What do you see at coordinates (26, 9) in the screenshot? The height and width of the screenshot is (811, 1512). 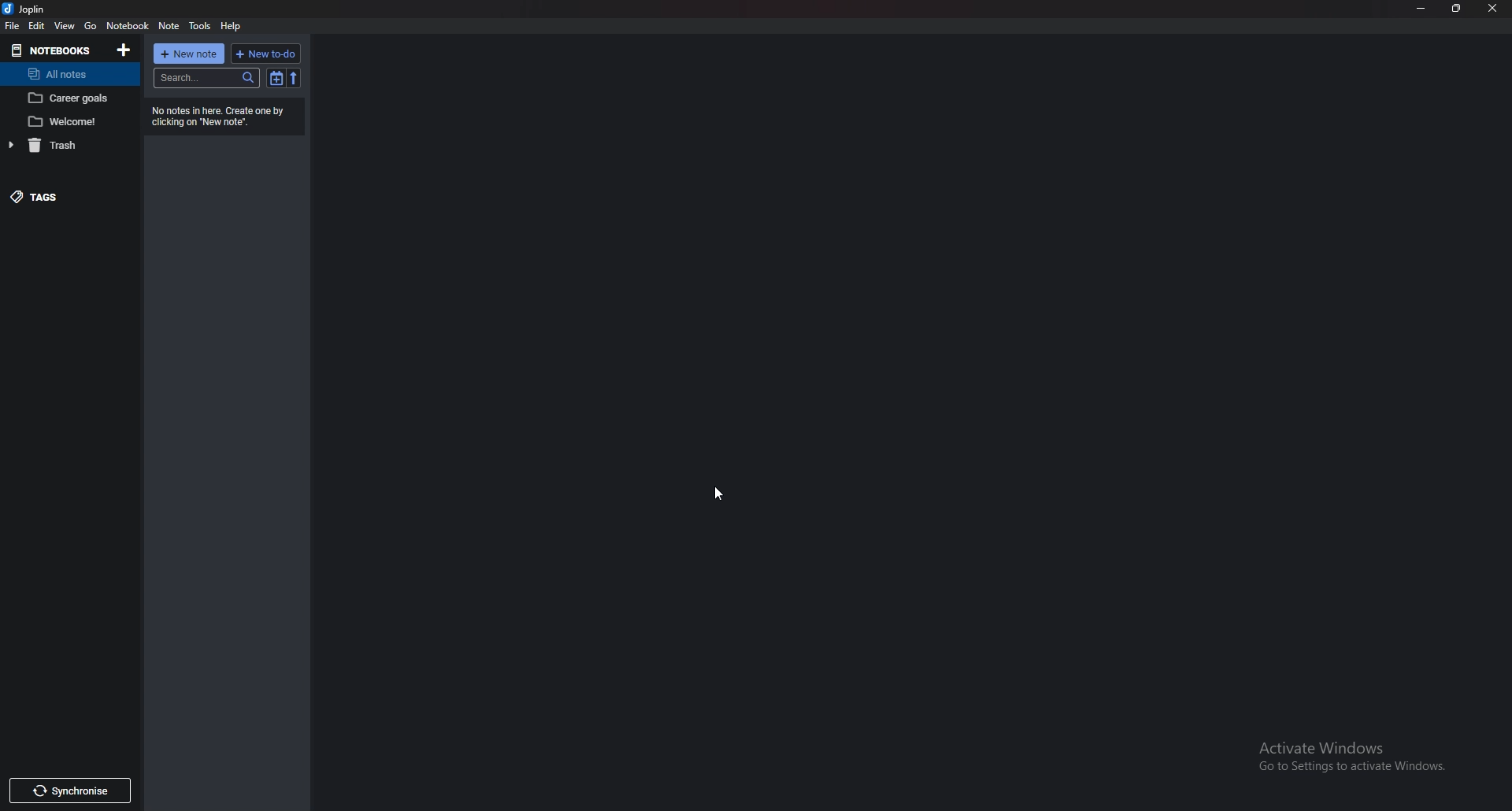 I see `joplin` at bounding box center [26, 9].